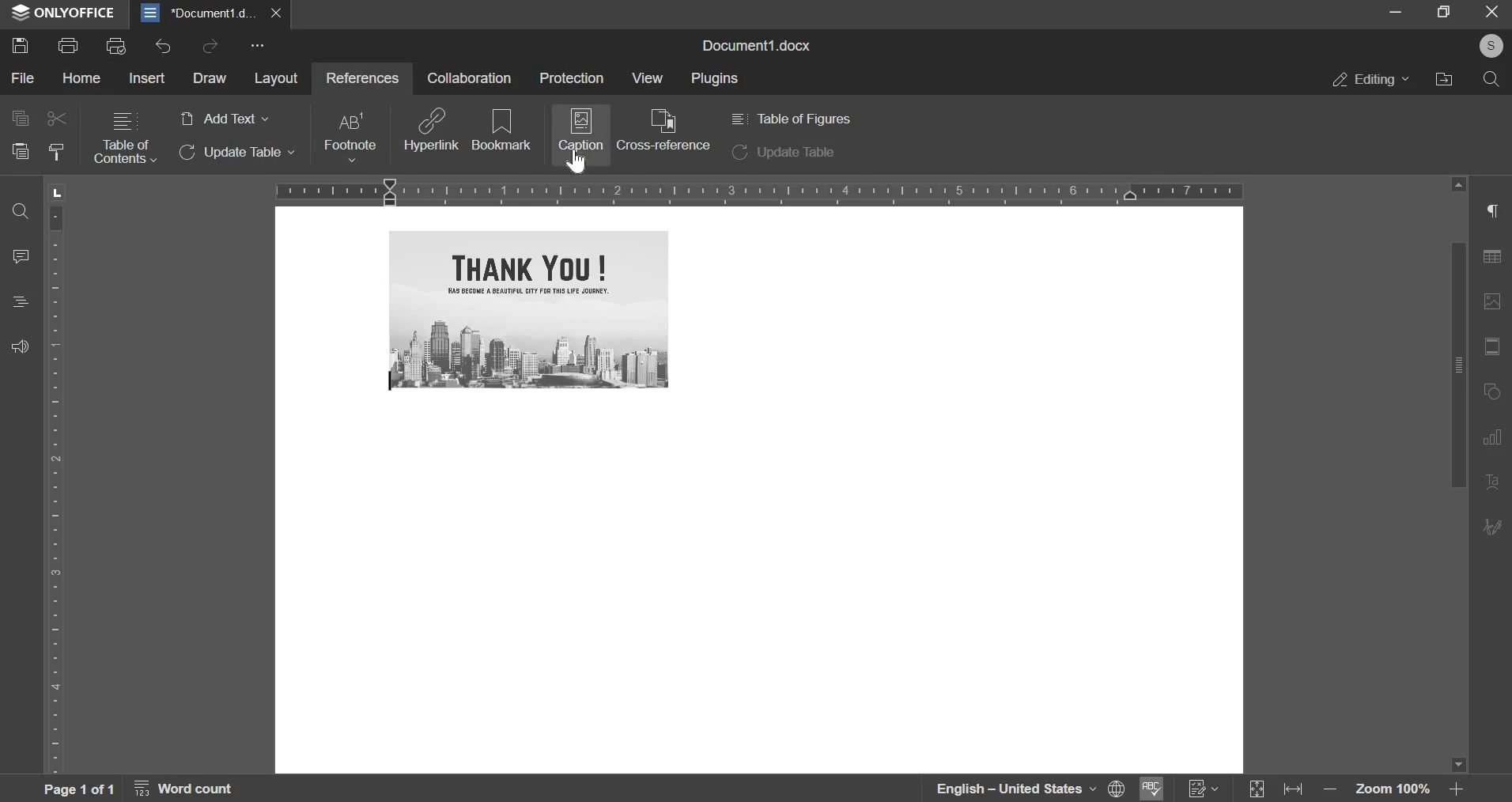 The height and width of the screenshot is (802, 1512). I want to click on protection, so click(571, 77).